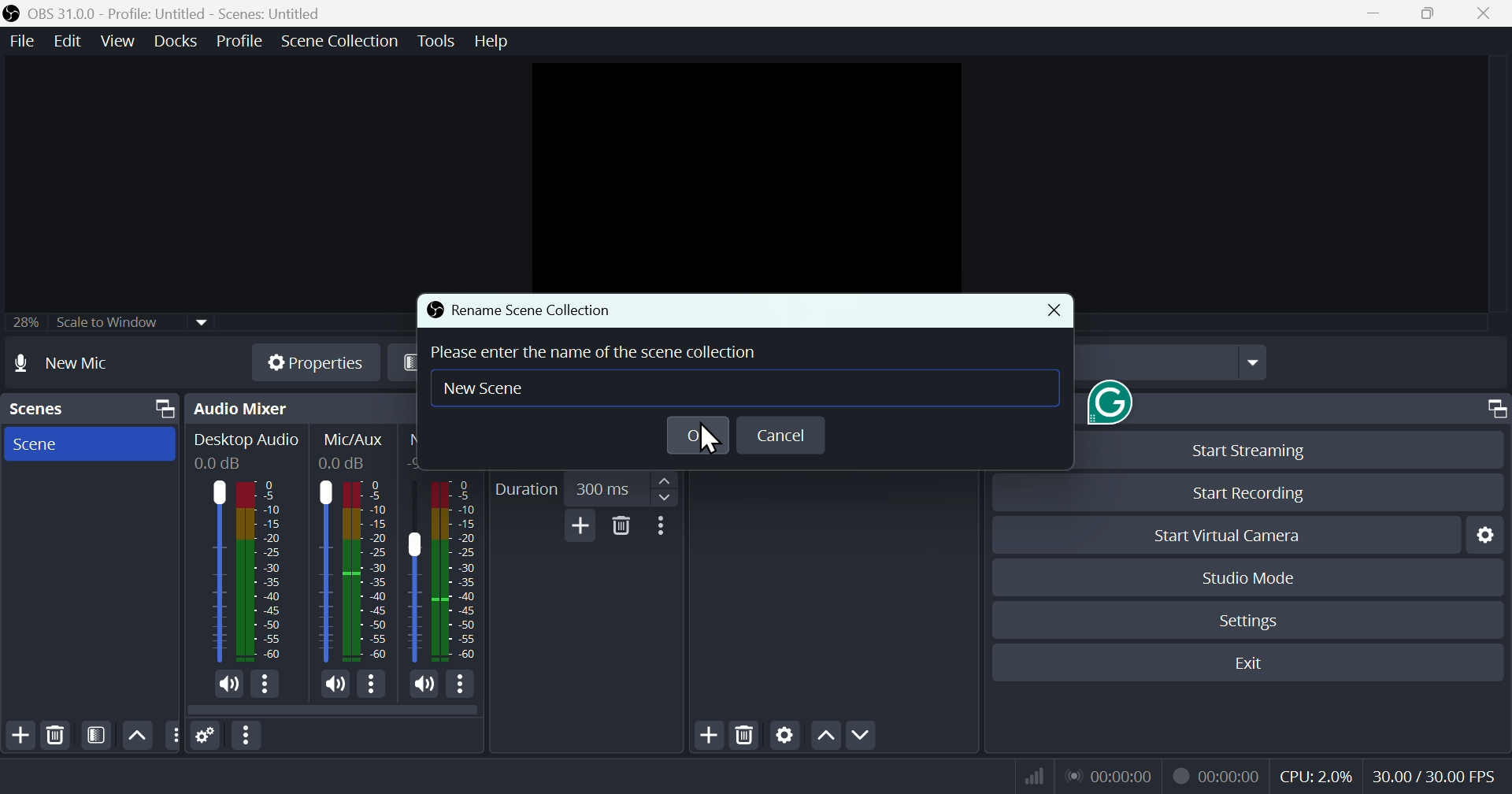 This screenshot has height=794, width=1512. I want to click on Close, so click(1487, 15).